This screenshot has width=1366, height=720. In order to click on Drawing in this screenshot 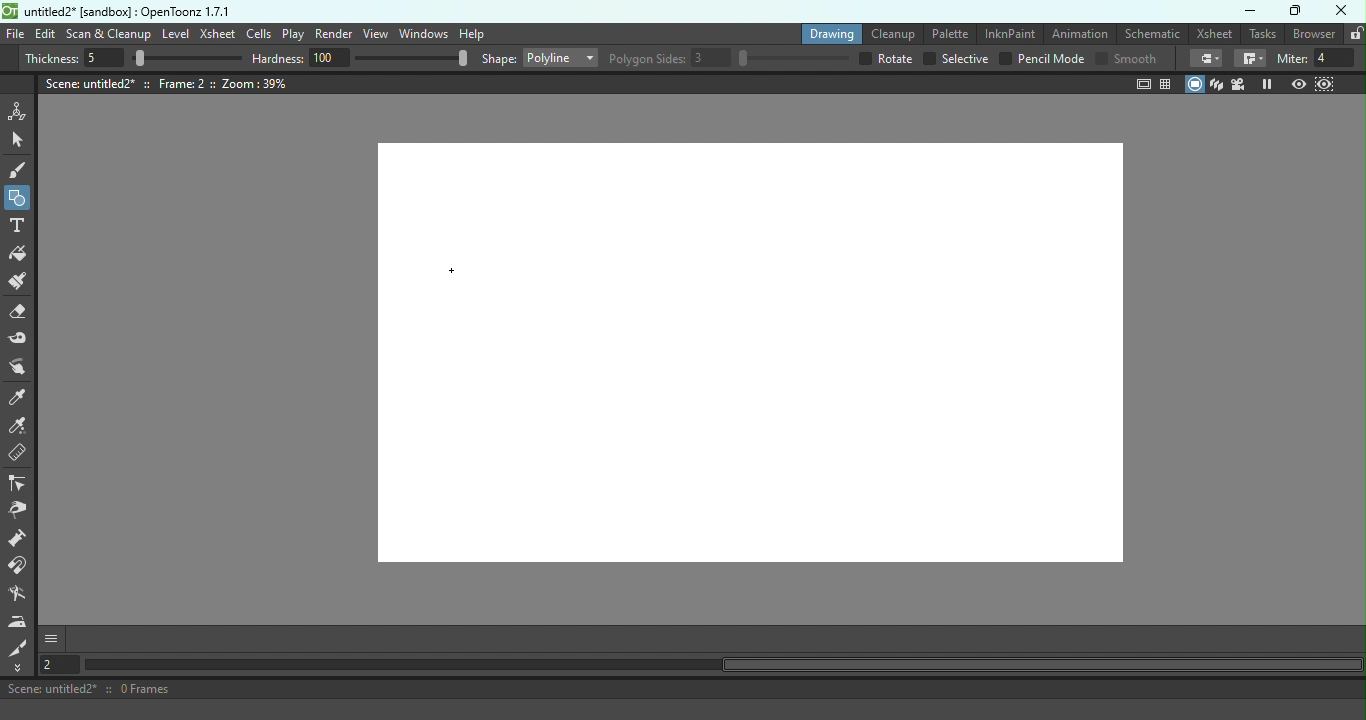, I will do `click(828, 33)`.